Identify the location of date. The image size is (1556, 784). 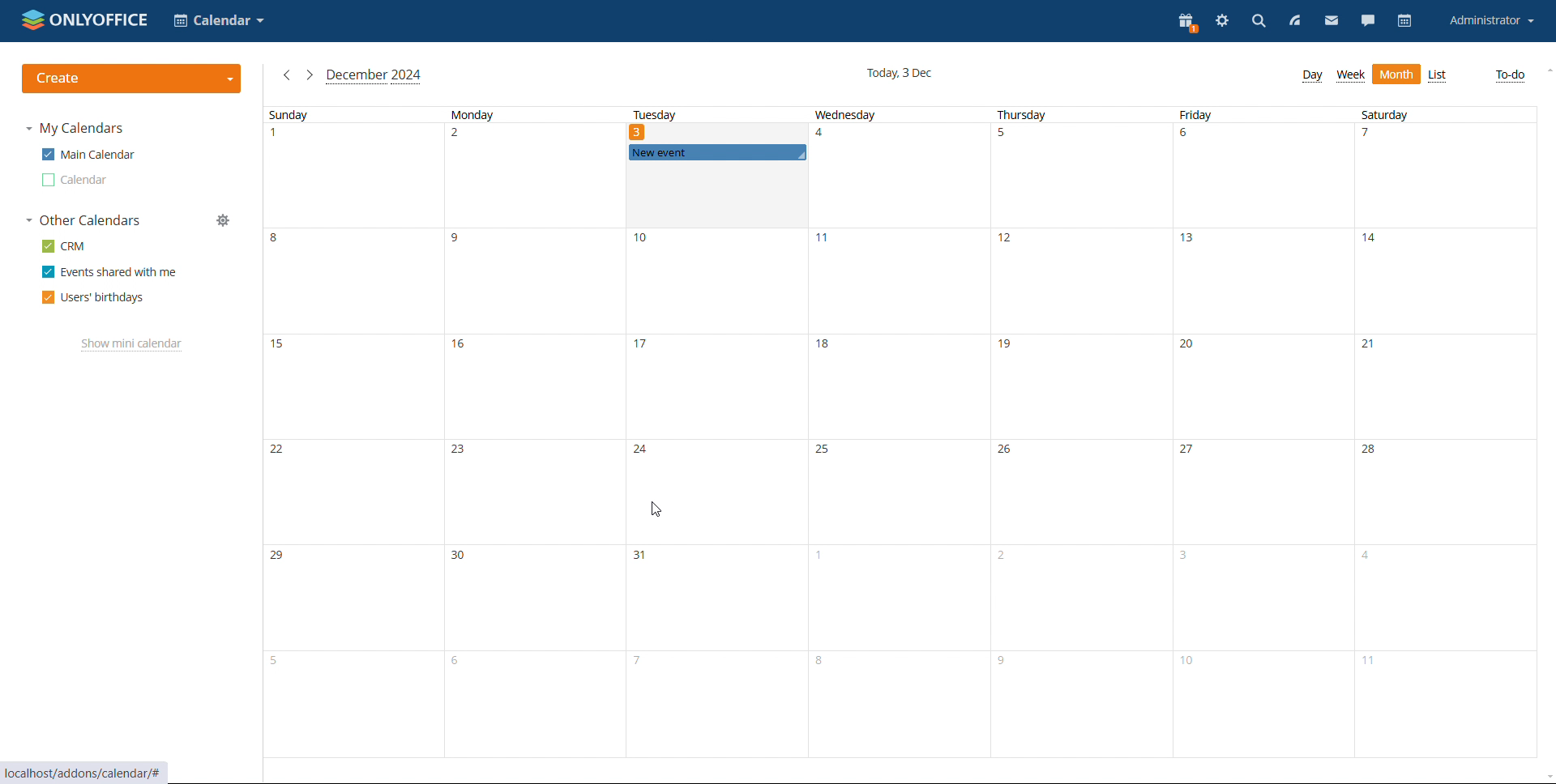
(1443, 491).